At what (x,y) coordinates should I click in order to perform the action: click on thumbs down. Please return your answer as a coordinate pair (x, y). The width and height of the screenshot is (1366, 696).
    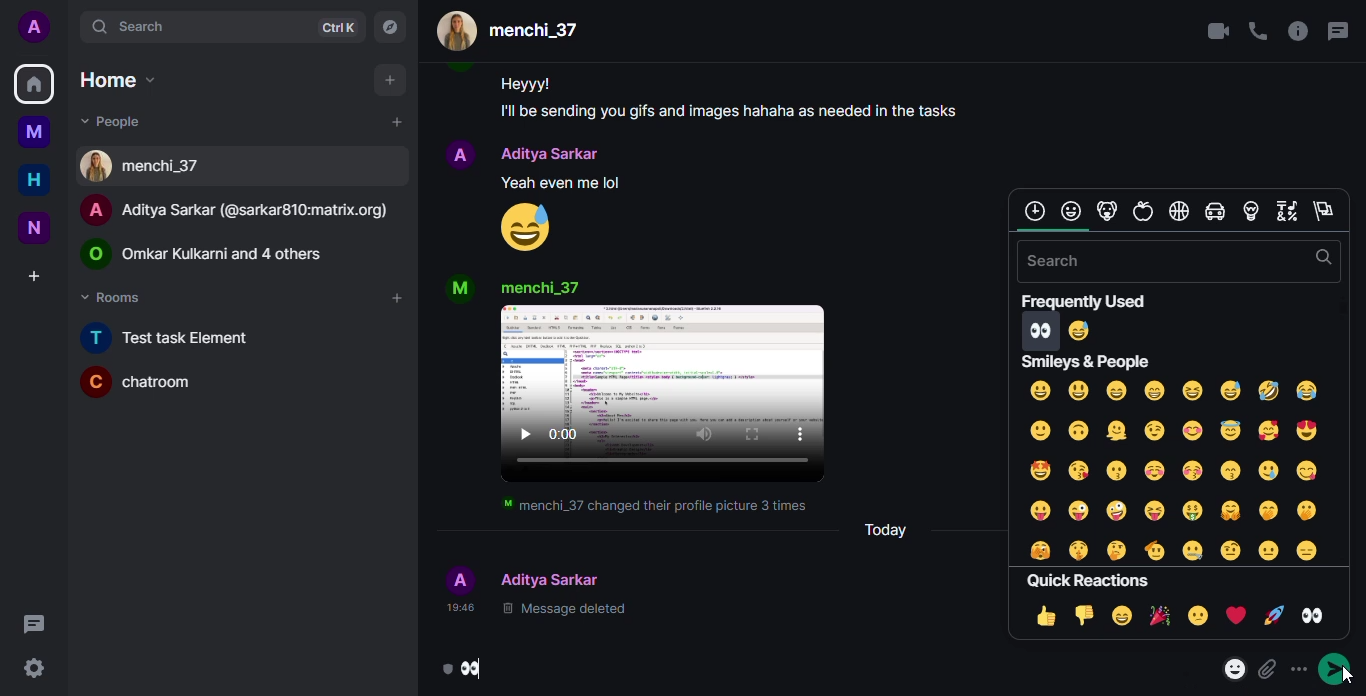
    Looking at the image, I should click on (1080, 617).